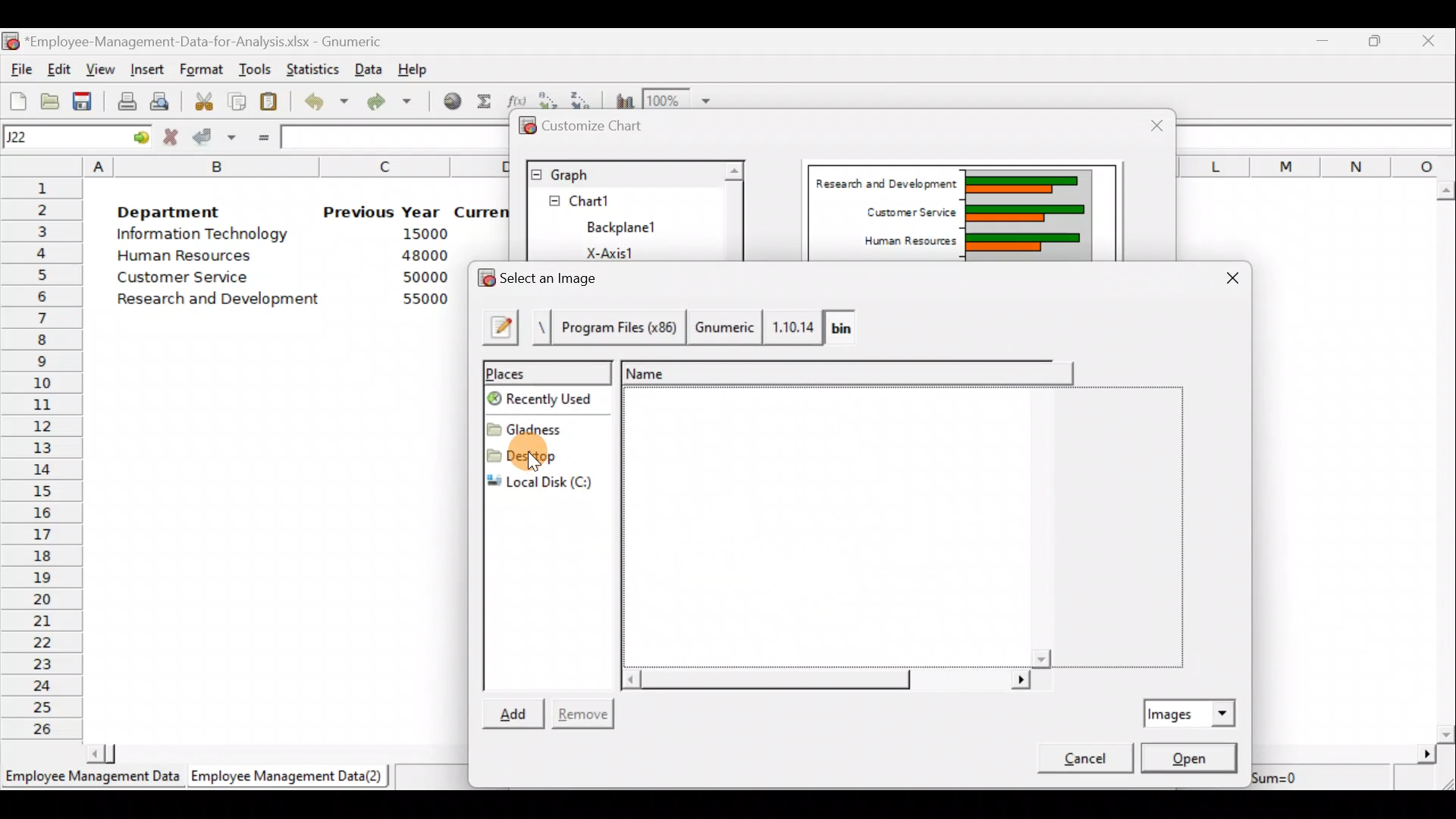  What do you see at coordinates (1080, 761) in the screenshot?
I see `Cancel` at bounding box center [1080, 761].